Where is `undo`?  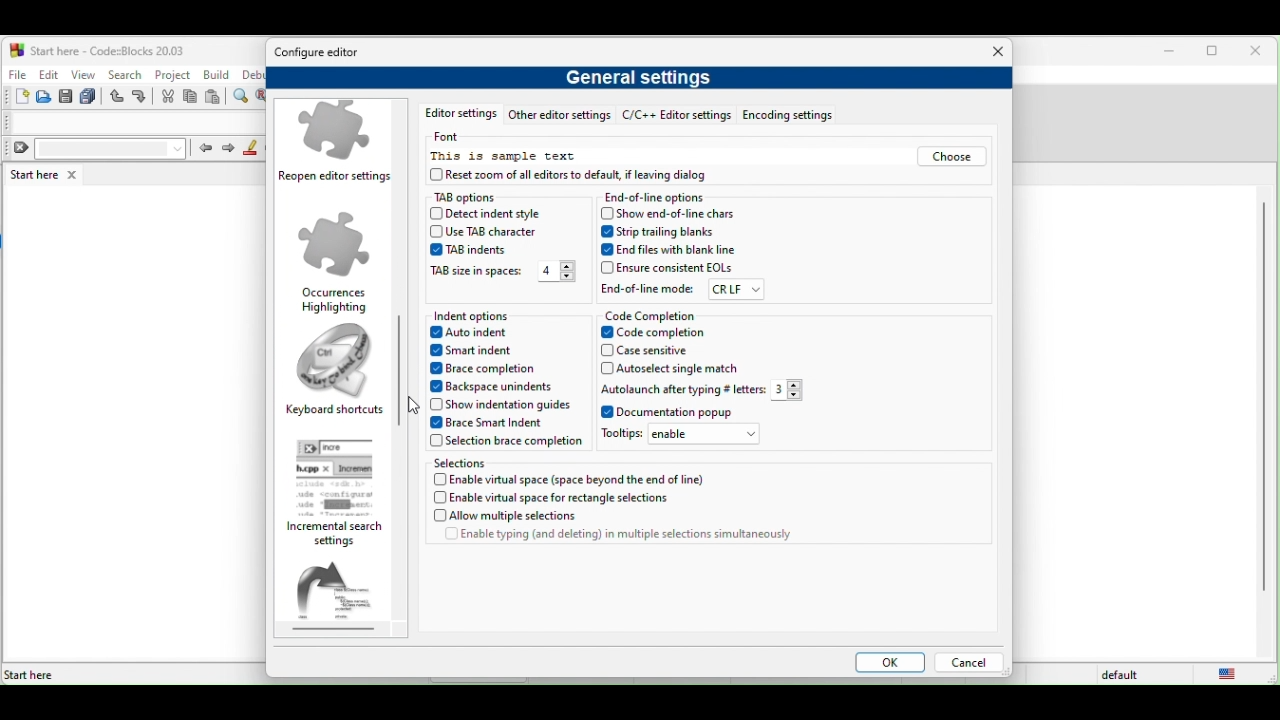
undo is located at coordinates (118, 97).